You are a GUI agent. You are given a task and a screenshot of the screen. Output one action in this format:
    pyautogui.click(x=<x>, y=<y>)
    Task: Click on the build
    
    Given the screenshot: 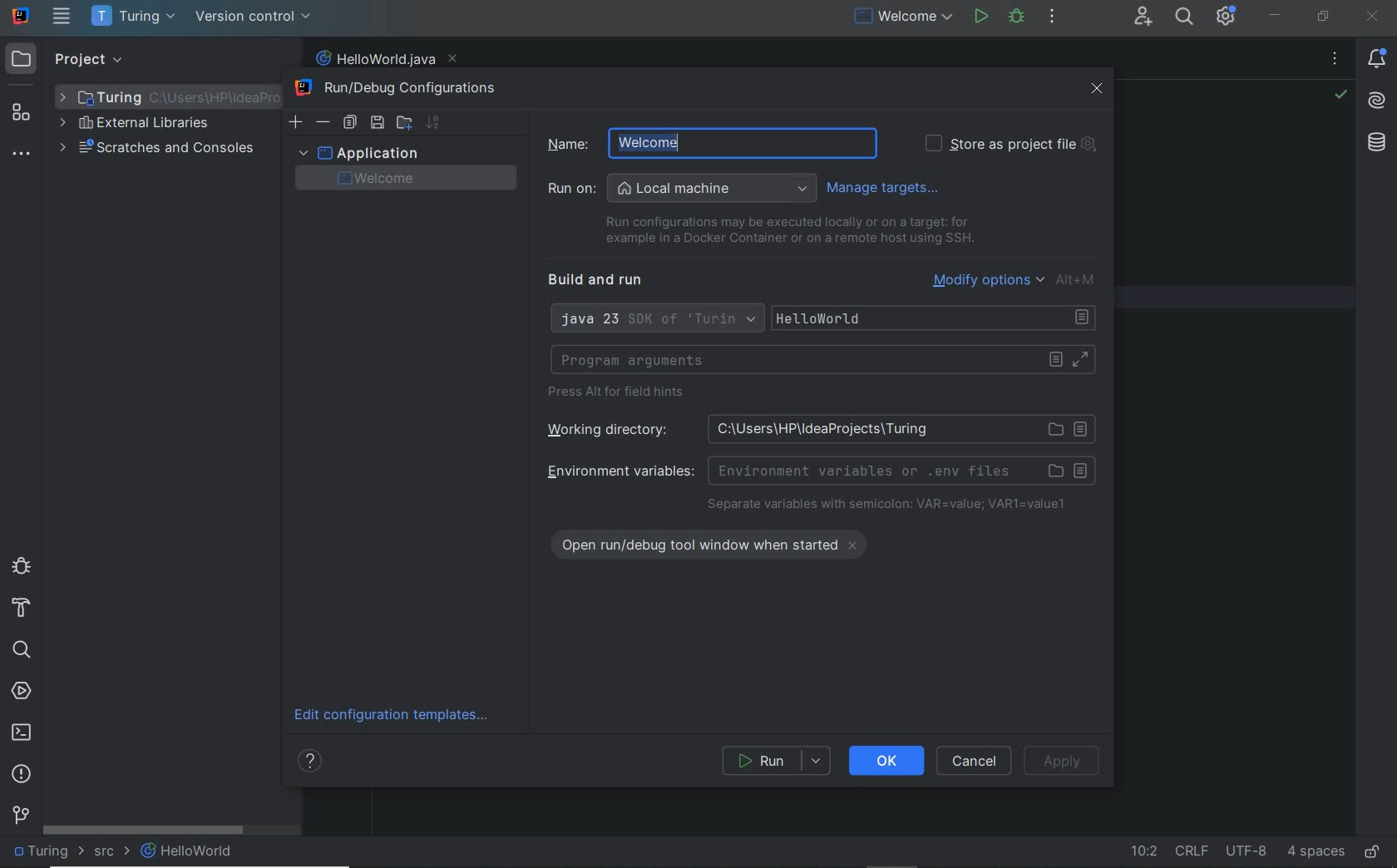 What is the action you would take?
    pyautogui.click(x=22, y=609)
    